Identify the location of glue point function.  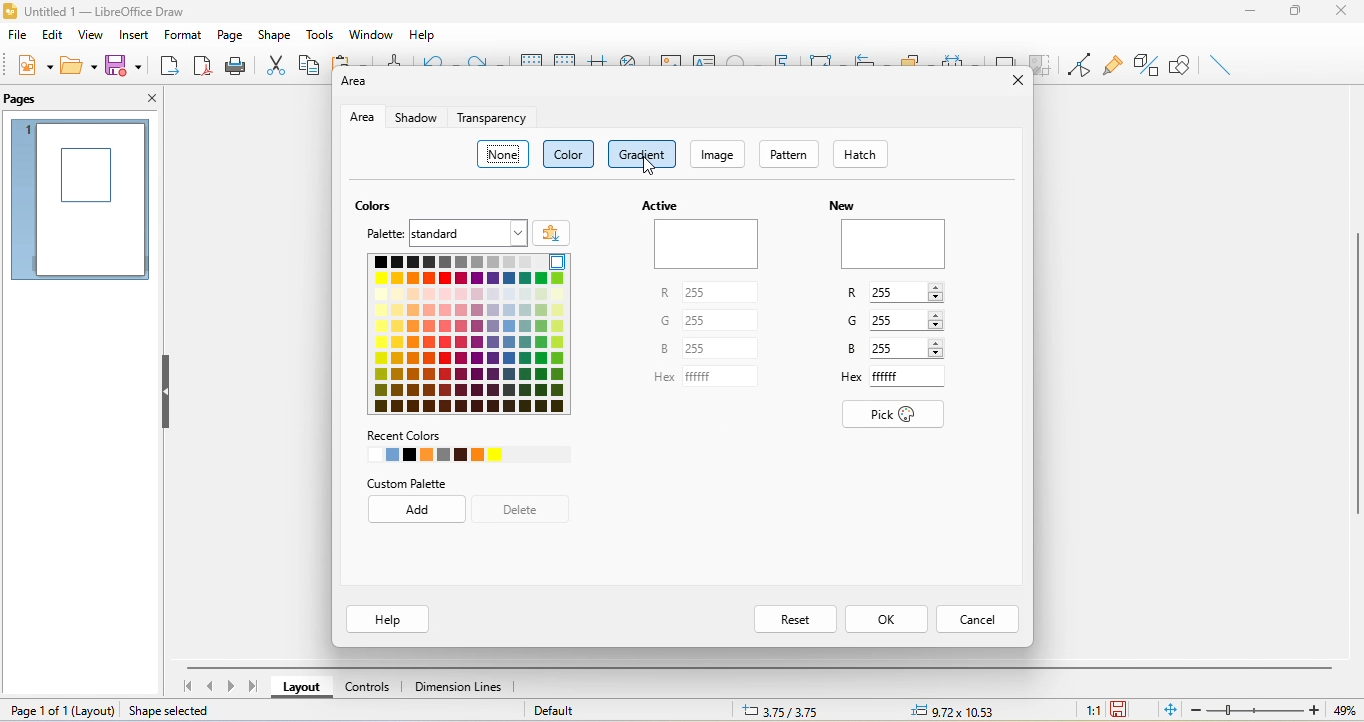
(1112, 63).